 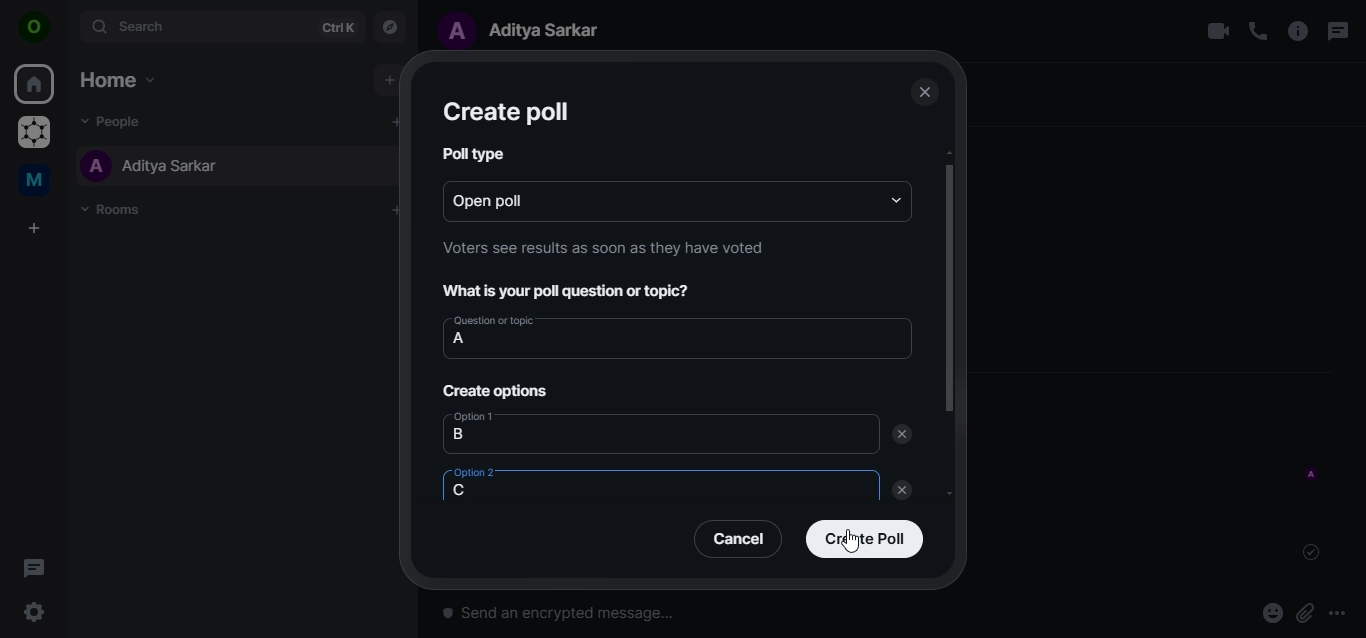 I want to click on Question or topic, so click(x=493, y=320).